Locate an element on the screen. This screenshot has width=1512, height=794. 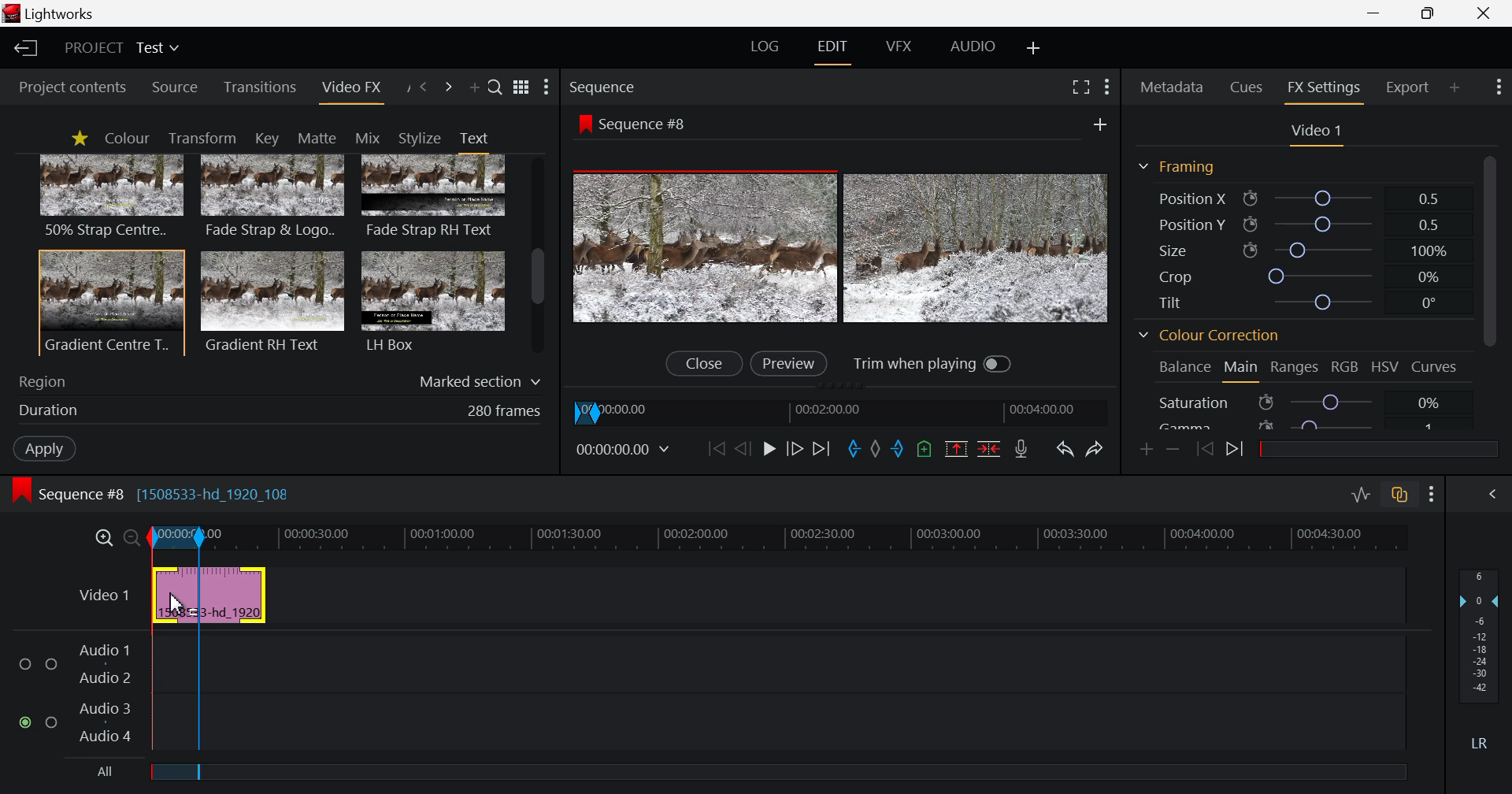
Frame Time is located at coordinates (627, 450).